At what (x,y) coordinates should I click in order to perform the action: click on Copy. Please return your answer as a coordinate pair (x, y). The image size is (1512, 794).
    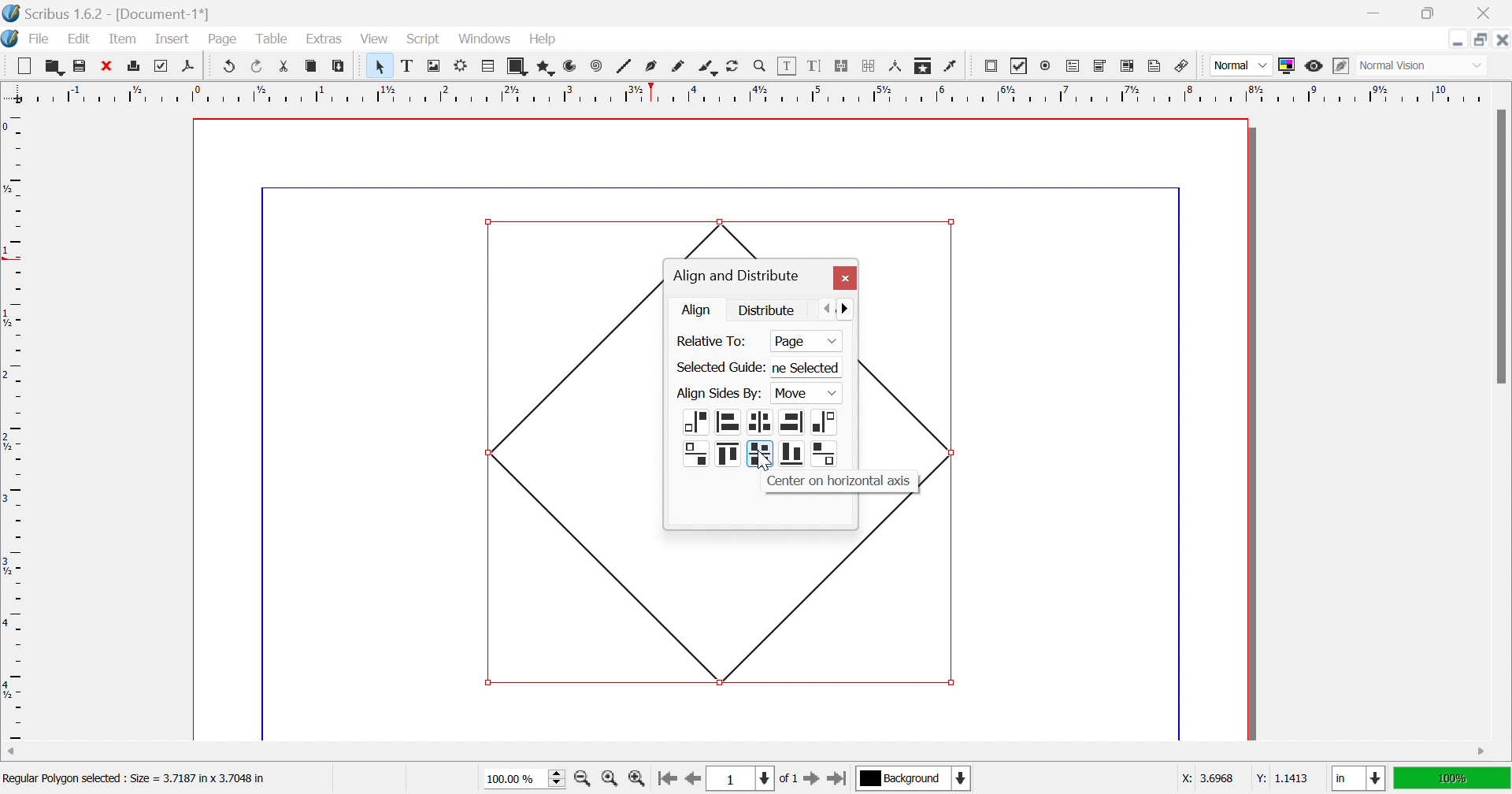
    Looking at the image, I should click on (311, 65).